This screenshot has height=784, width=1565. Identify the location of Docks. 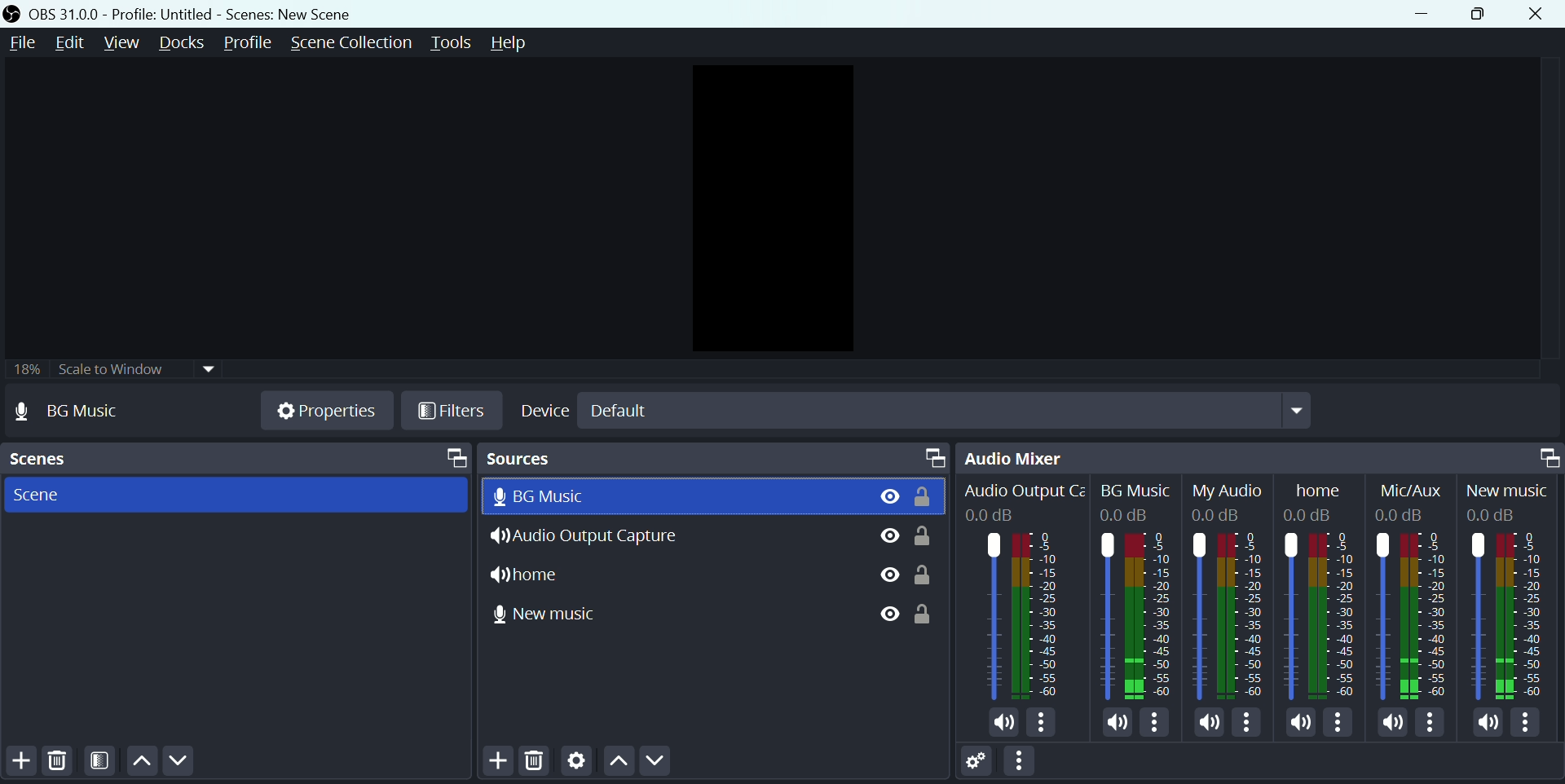
(179, 41).